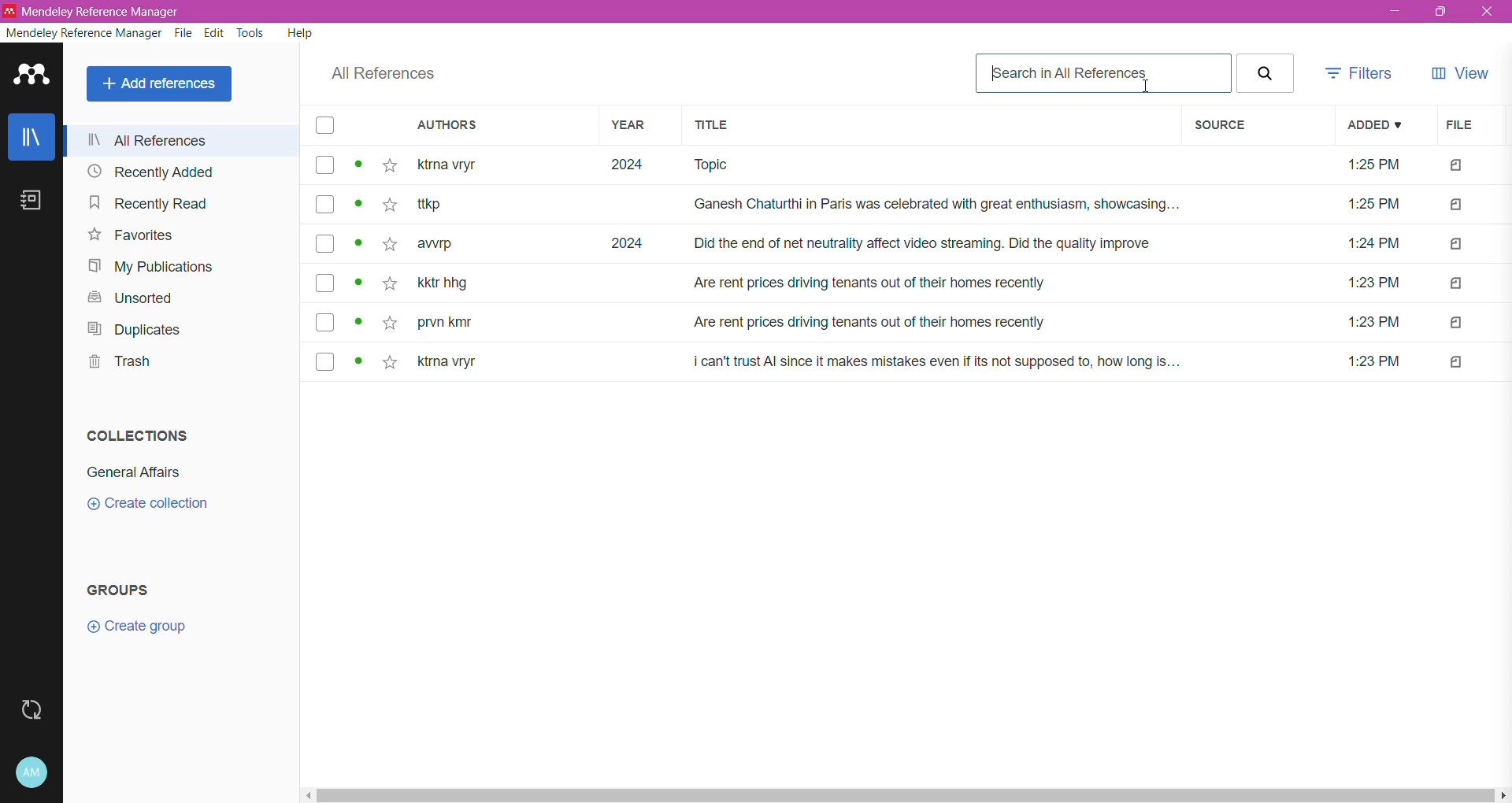 This screenshot has width=1512, height=803. Describe the element at coordinates (32, 773) in the screenshot. I see `Account and Help` at that location.